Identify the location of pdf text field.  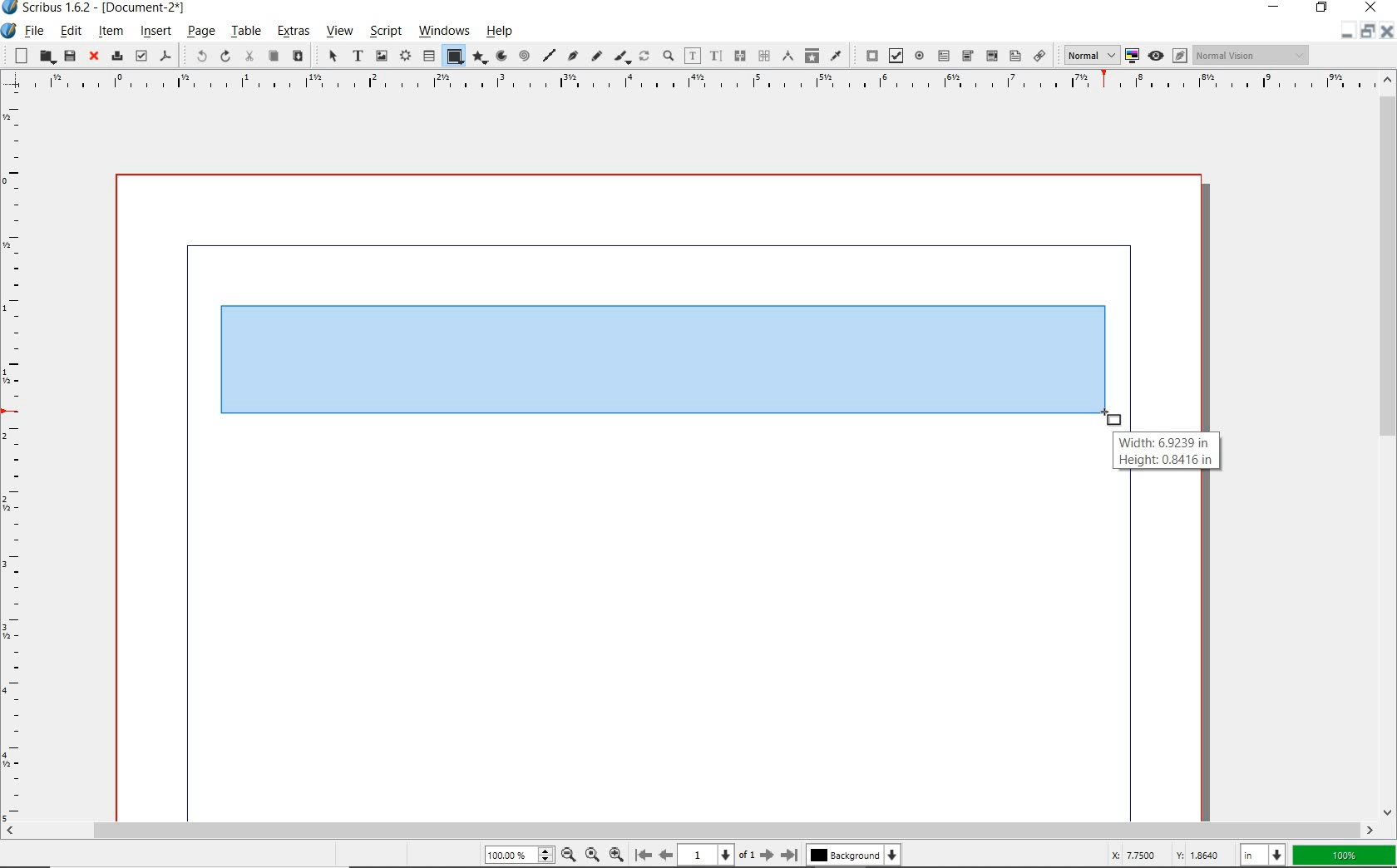
(944, 56).